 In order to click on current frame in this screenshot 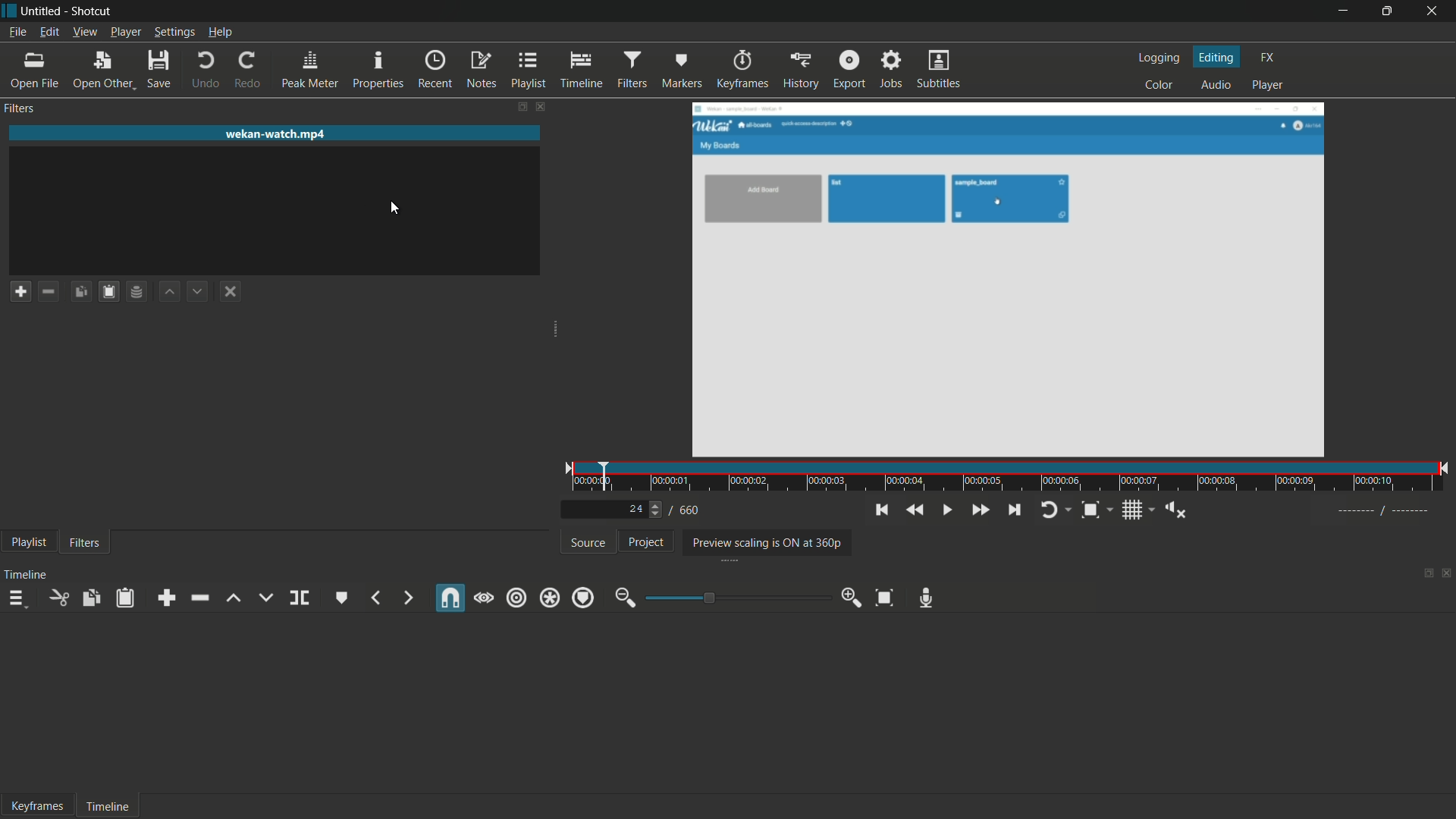, I will do `click(635, 508)`.